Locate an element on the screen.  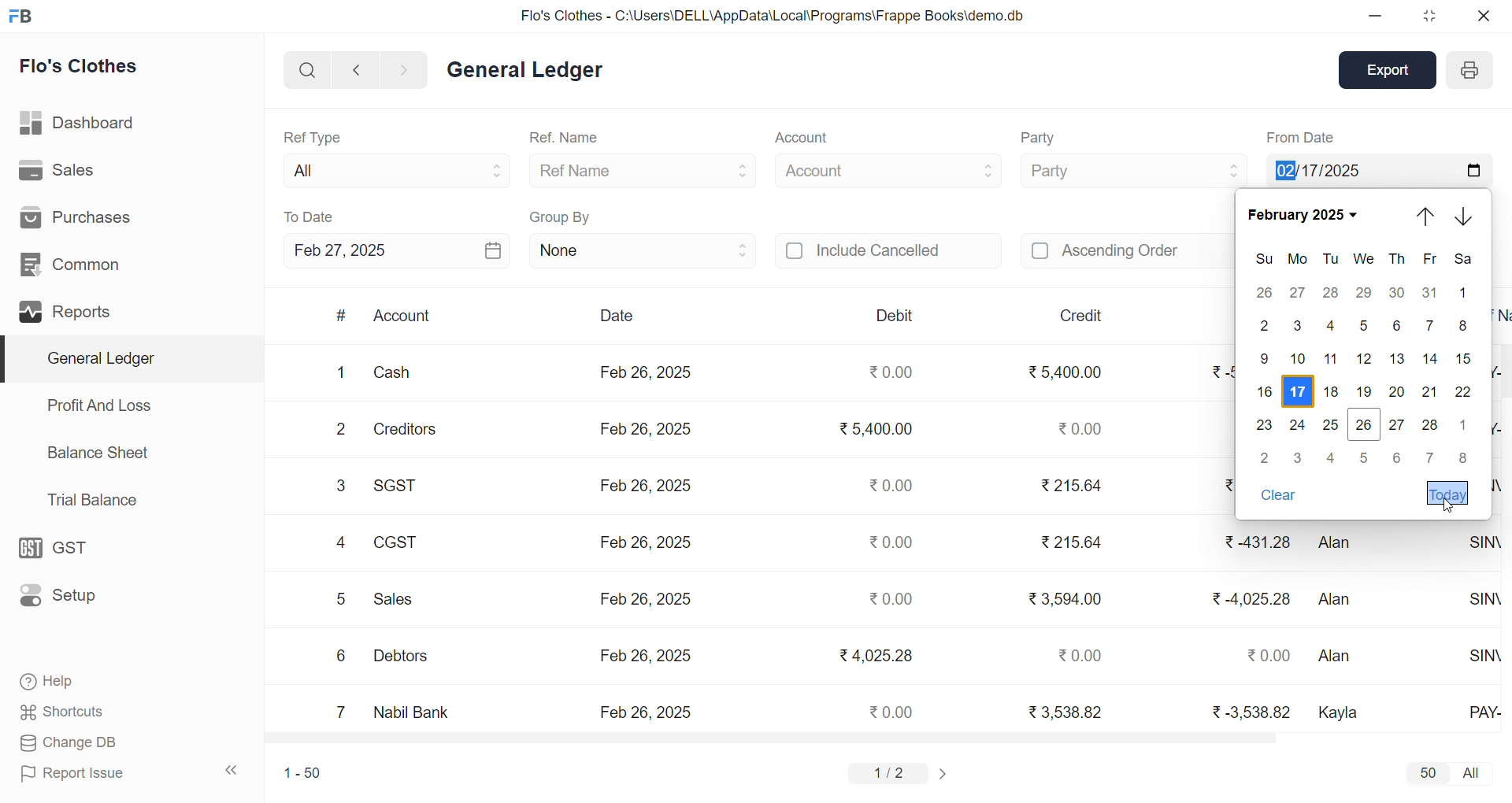
Feb 26, 2025 is located at coordinates (646, 712).